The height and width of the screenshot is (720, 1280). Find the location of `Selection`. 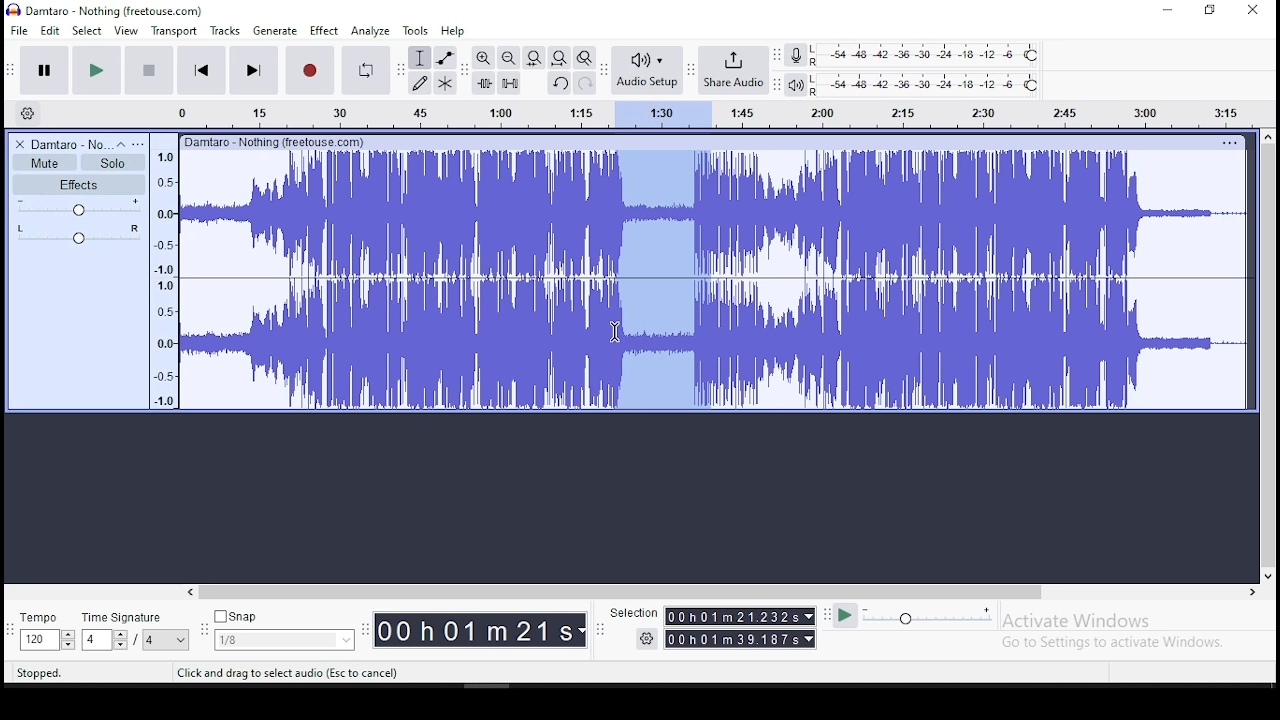

Selection is located at coordinates (632, 613).